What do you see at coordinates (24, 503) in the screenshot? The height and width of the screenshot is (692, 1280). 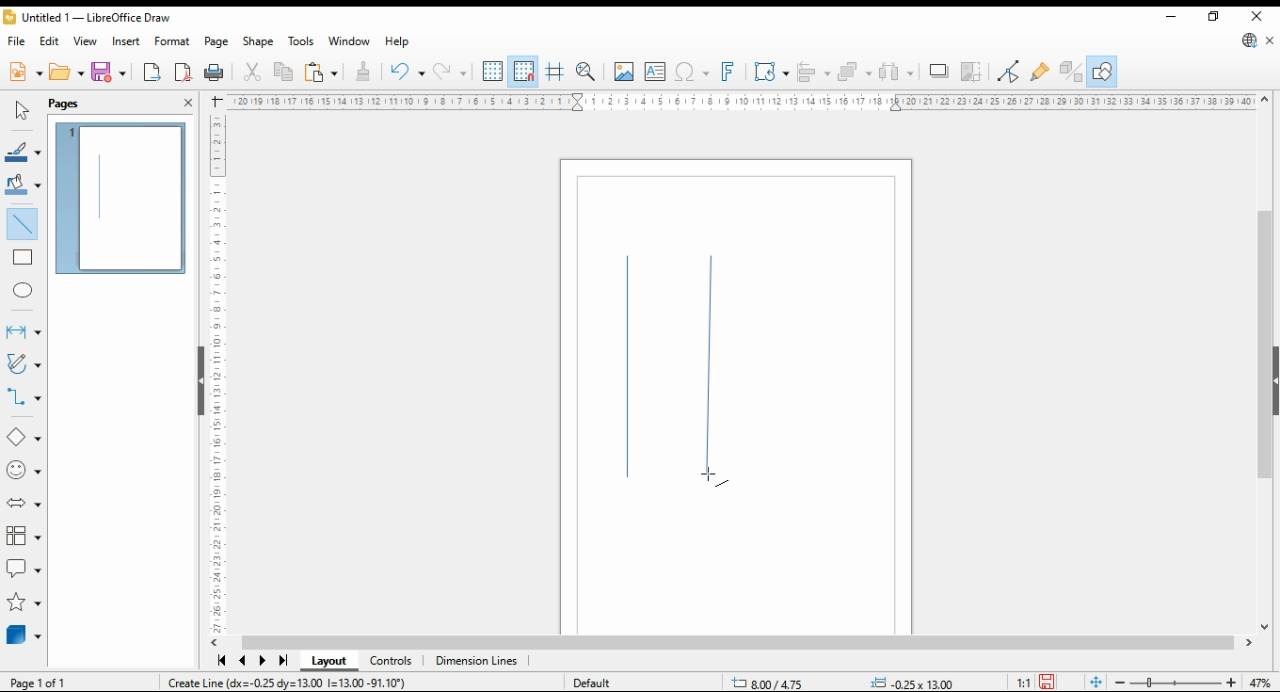 I see `block arrows` at bounding box center [24, 503].